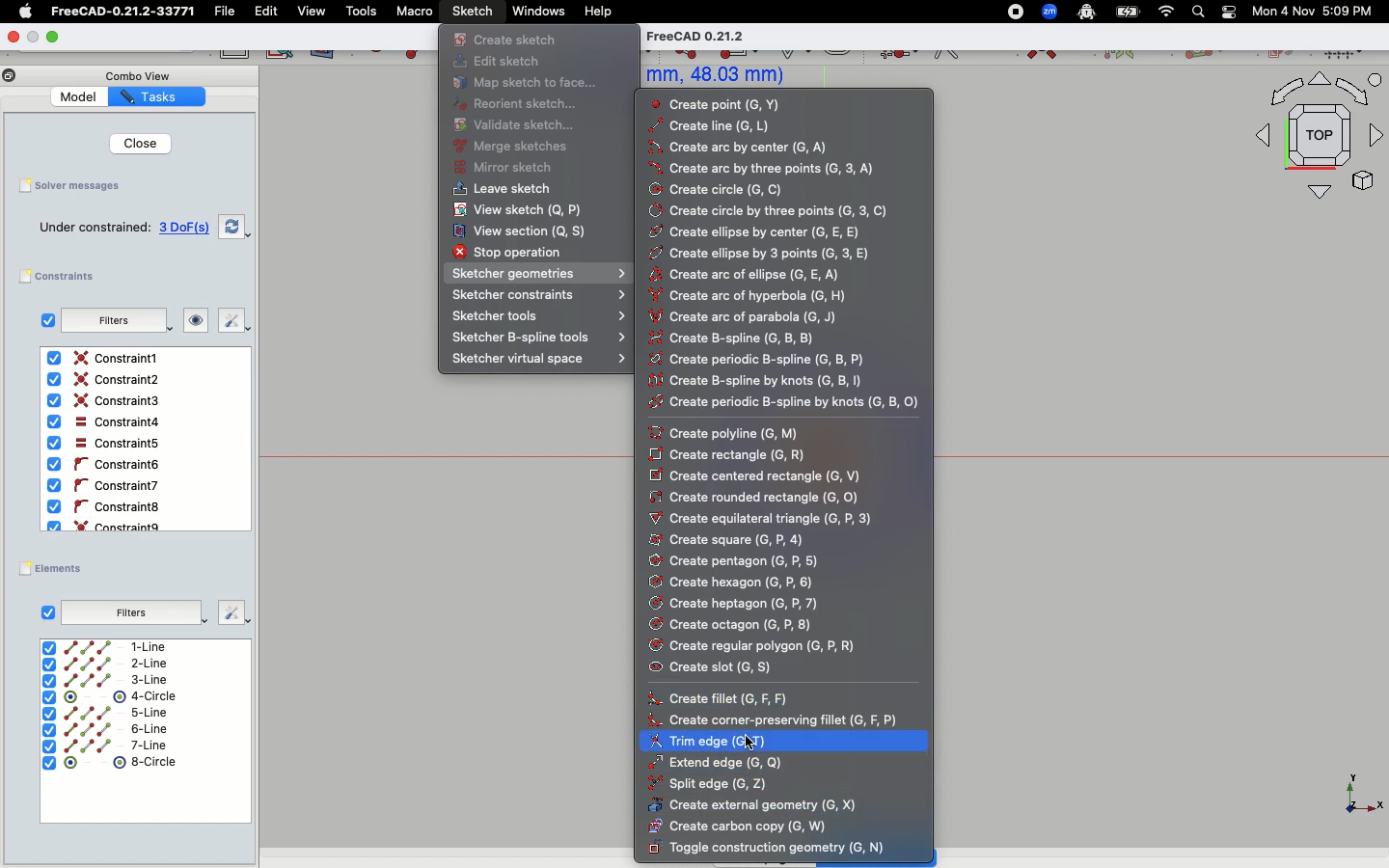  What do you see at coordinates (711, 667) in the screenshot?
I see `Create slot` at bounding box center [711, 667].